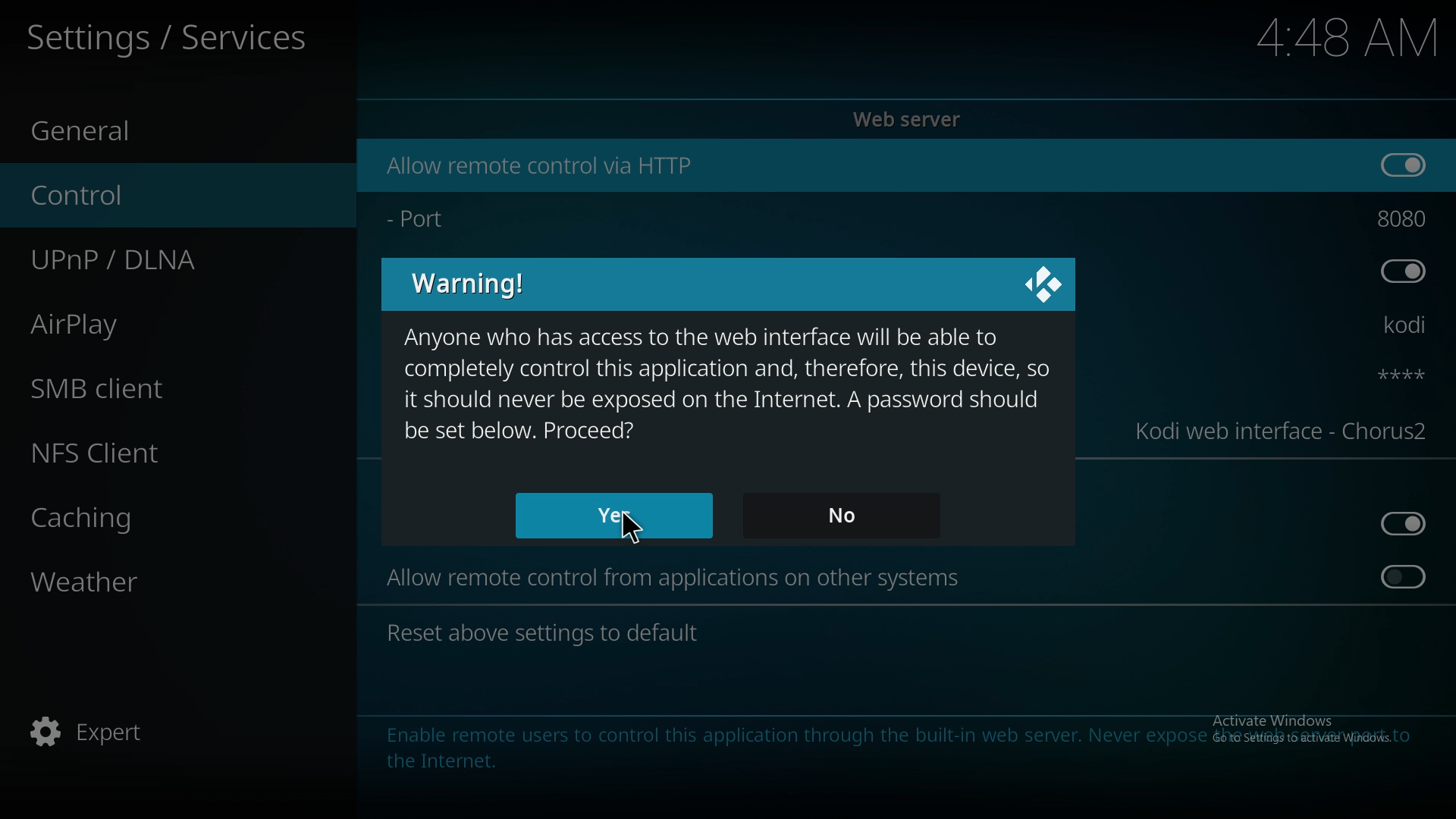 Image resolution: width=1456 pixels, height=819 pixels. I want to click on port, so click(1409, 218).